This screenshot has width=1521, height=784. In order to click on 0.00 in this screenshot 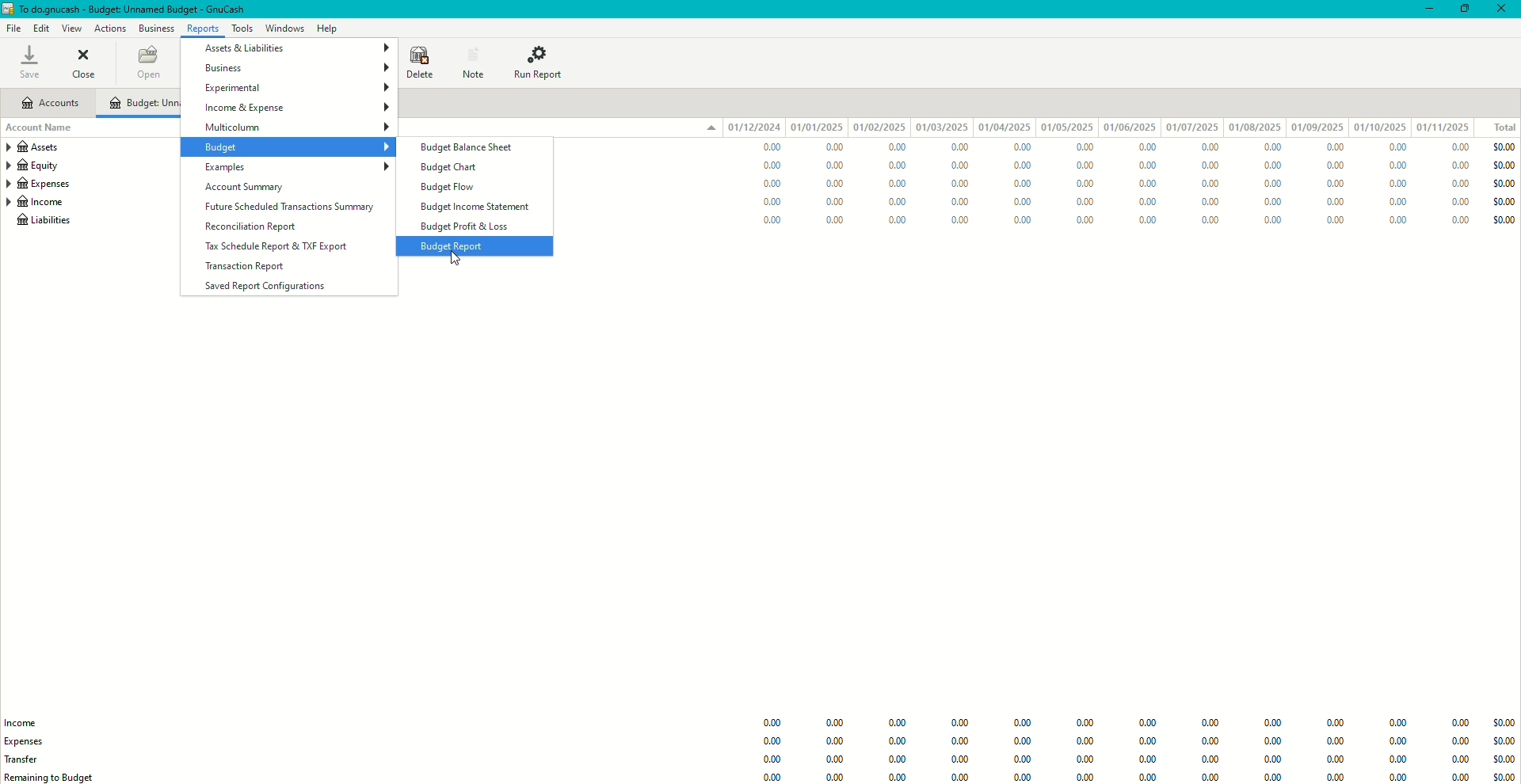, I will do `click(1210, 778)`.